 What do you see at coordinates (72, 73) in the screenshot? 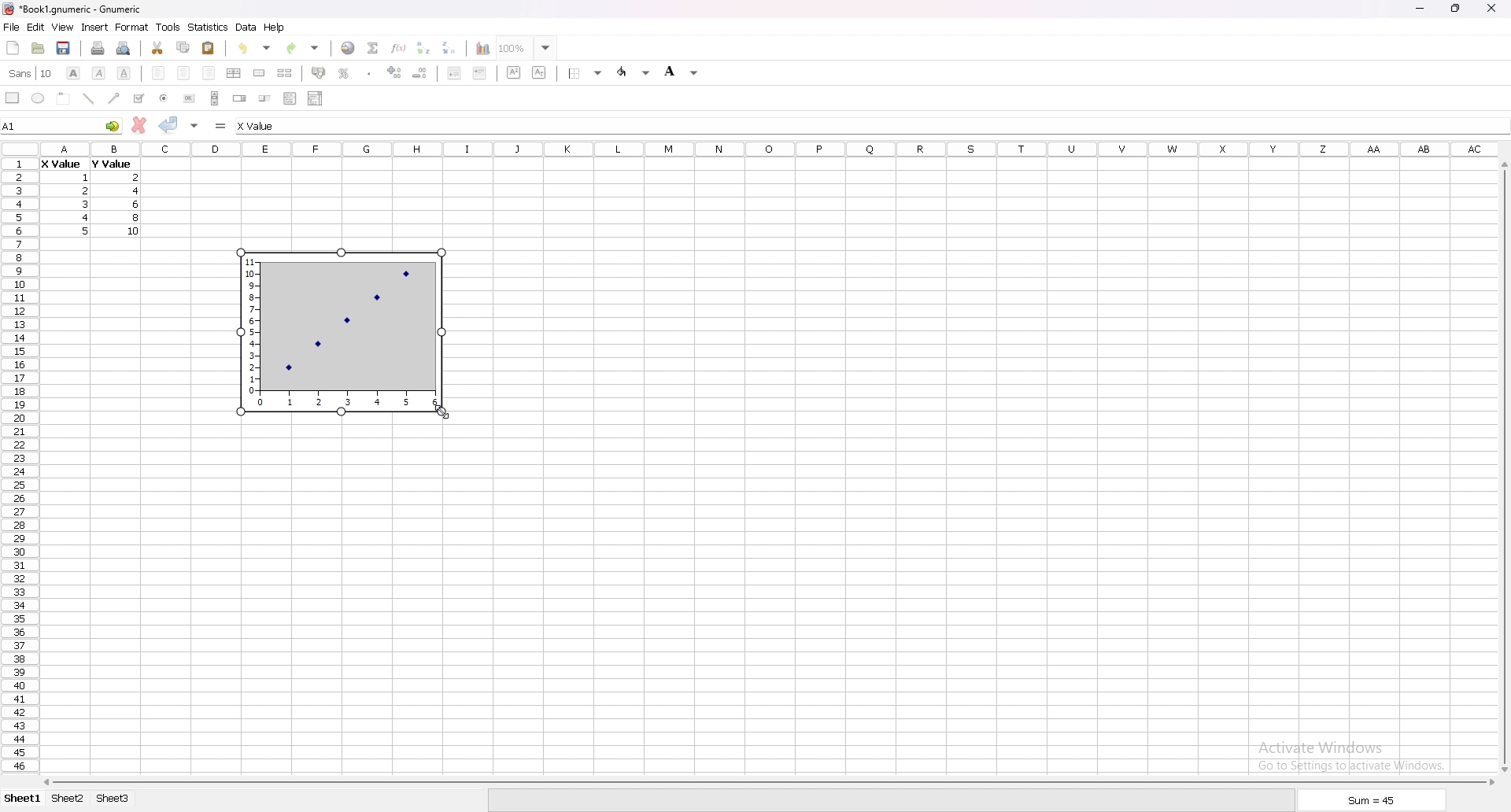
I see `bold` at bounding box center [72, 73].